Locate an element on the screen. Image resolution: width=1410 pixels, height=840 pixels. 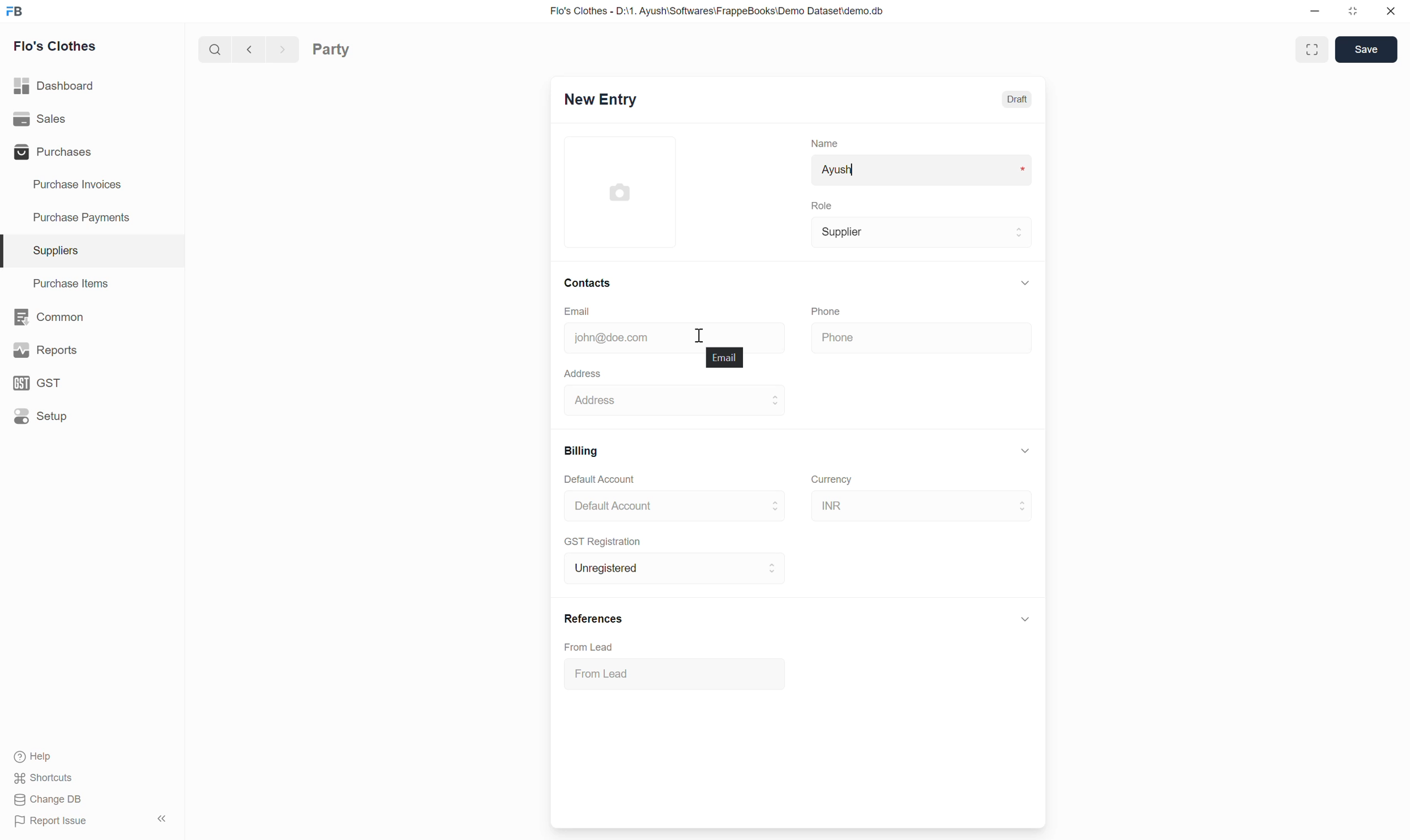
Toggle between form and full width is located at coordinates (1311, 49).